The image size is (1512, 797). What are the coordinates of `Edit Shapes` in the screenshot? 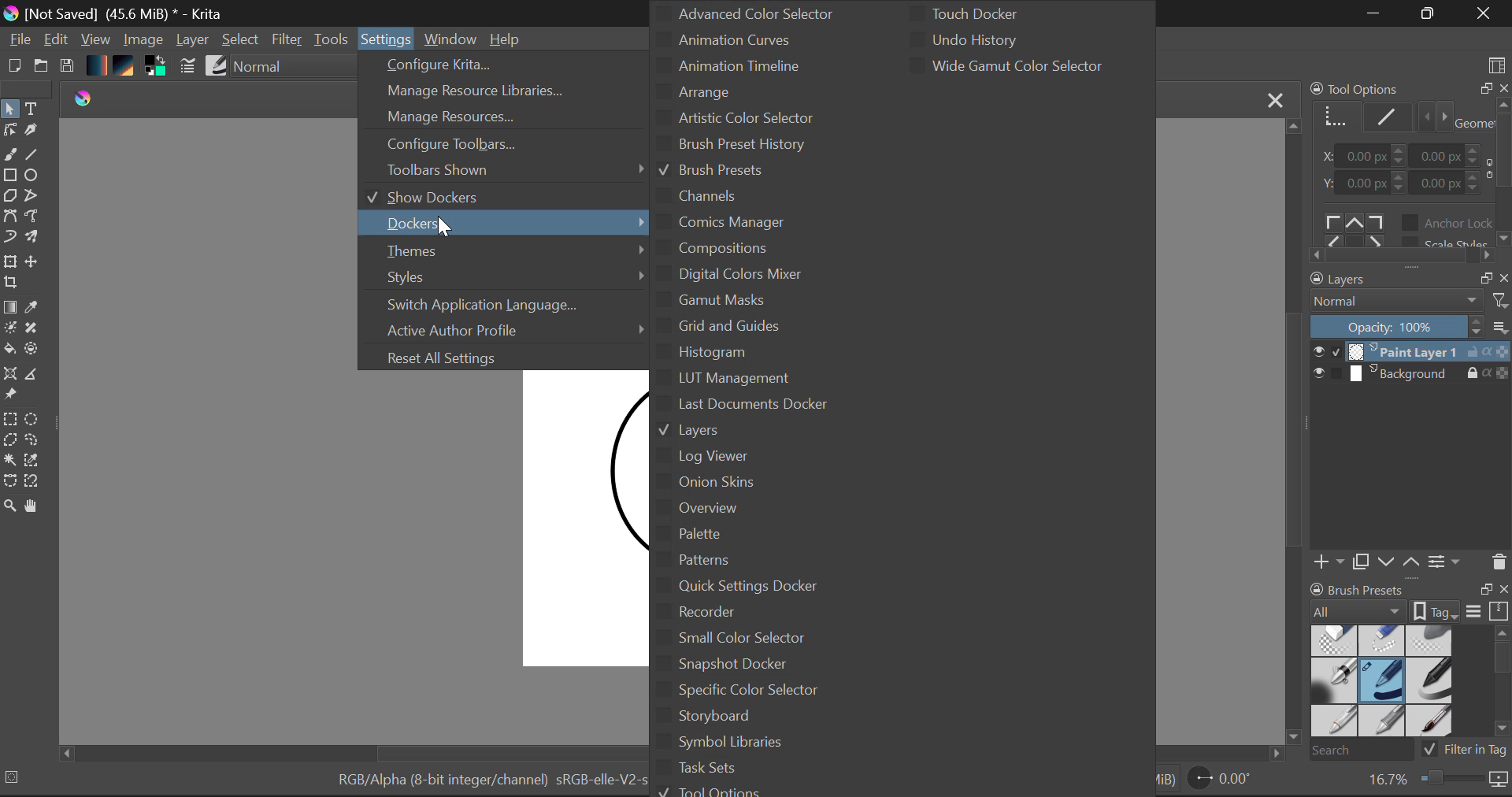 It's located at (13, 131).